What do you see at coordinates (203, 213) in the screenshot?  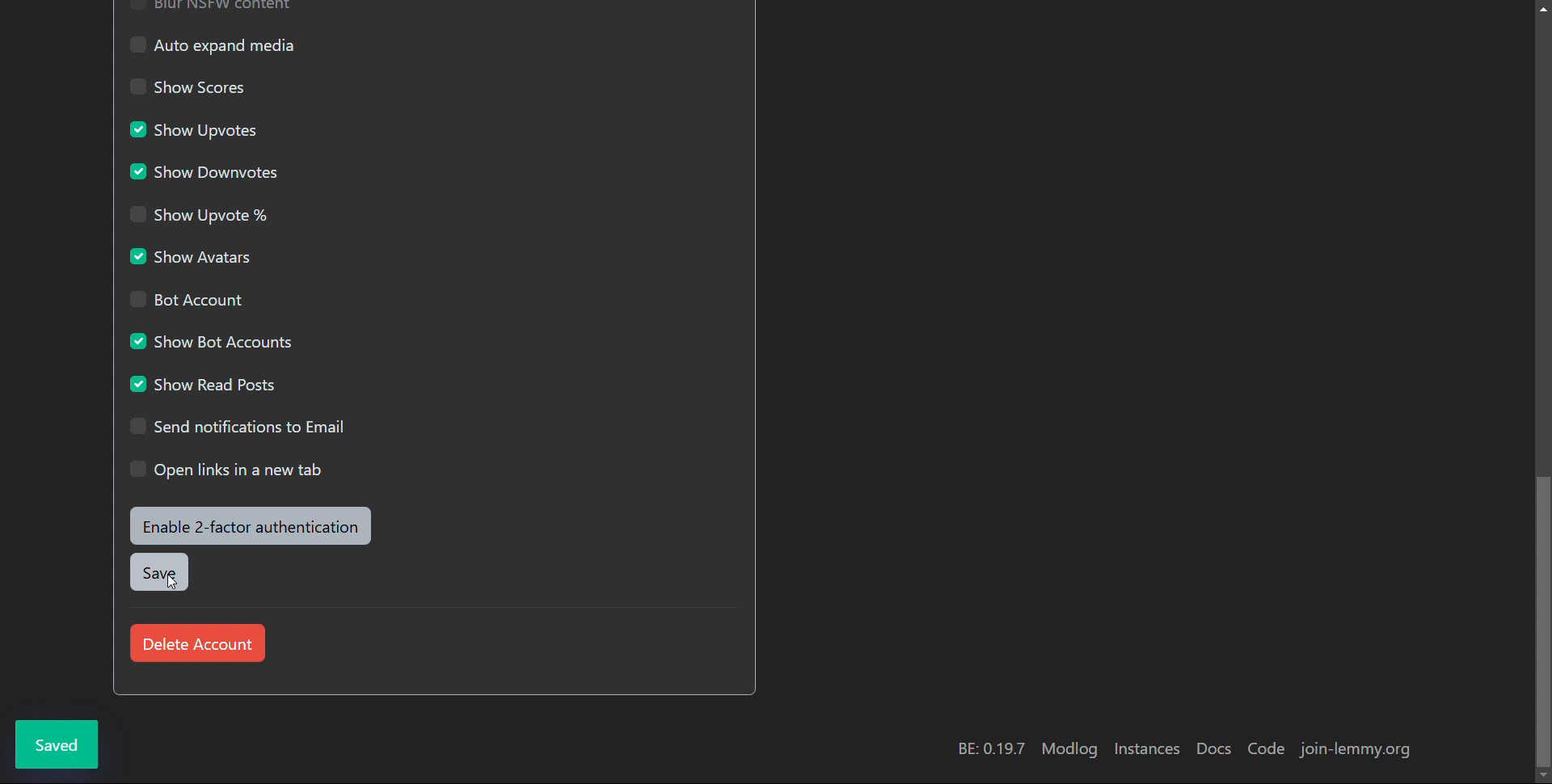 I see `show upvote %` at bounding box center [203, 213].